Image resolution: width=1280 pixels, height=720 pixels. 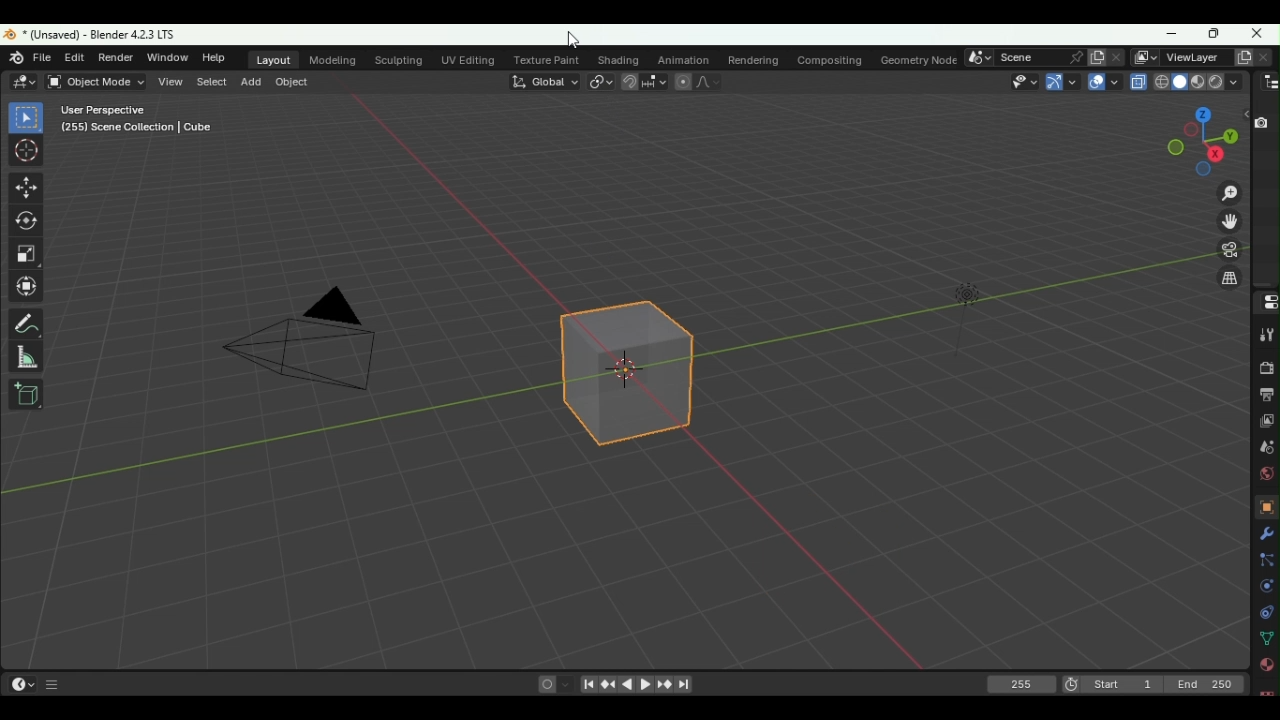 What do you see at coordinates (1215, 83) in the screenshot?
I see `Viewport shading: Rendered` at bounding box center [1215, 83].